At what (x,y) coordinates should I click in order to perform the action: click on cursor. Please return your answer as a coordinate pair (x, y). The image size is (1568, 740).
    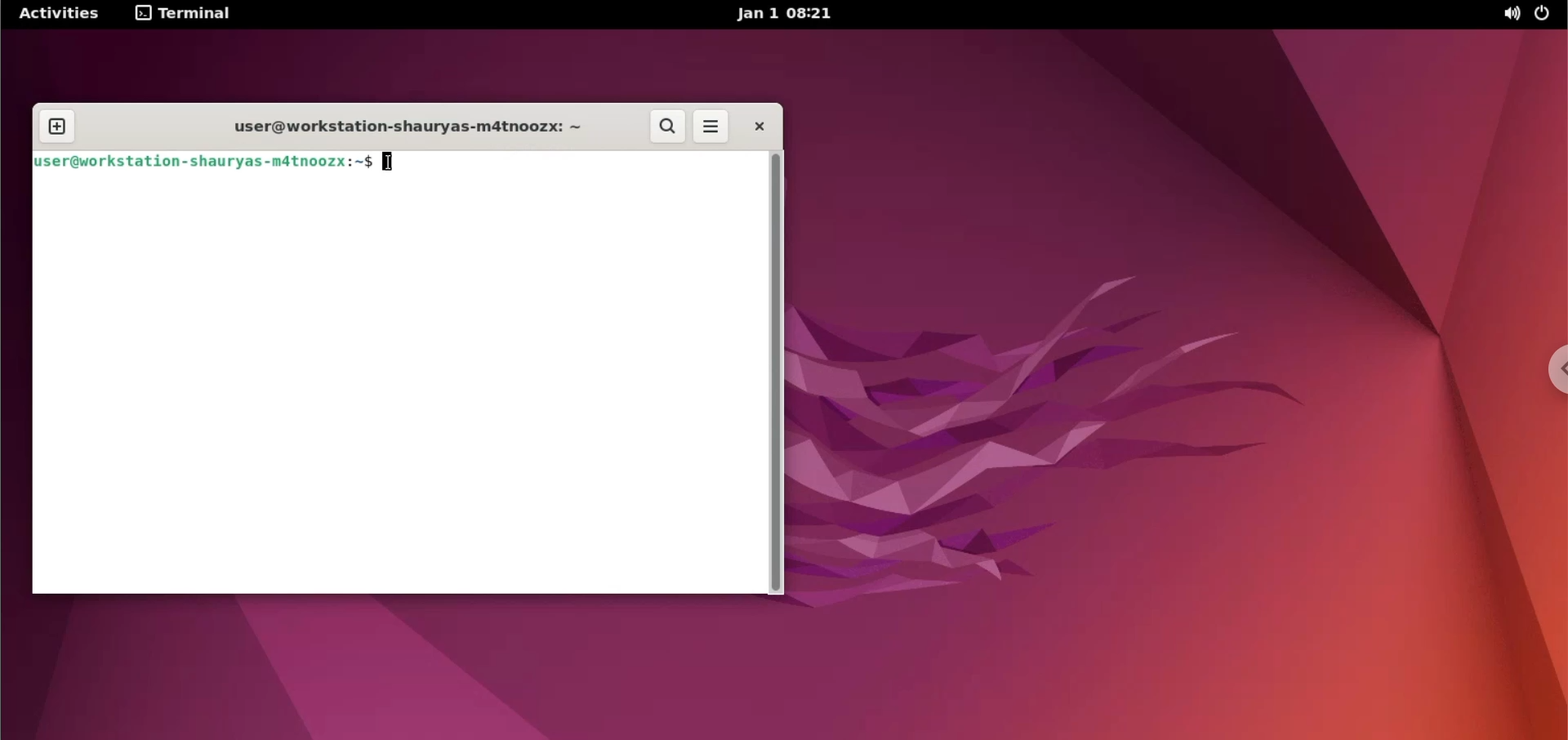
    Looking at the image, I should click on (393, 161).